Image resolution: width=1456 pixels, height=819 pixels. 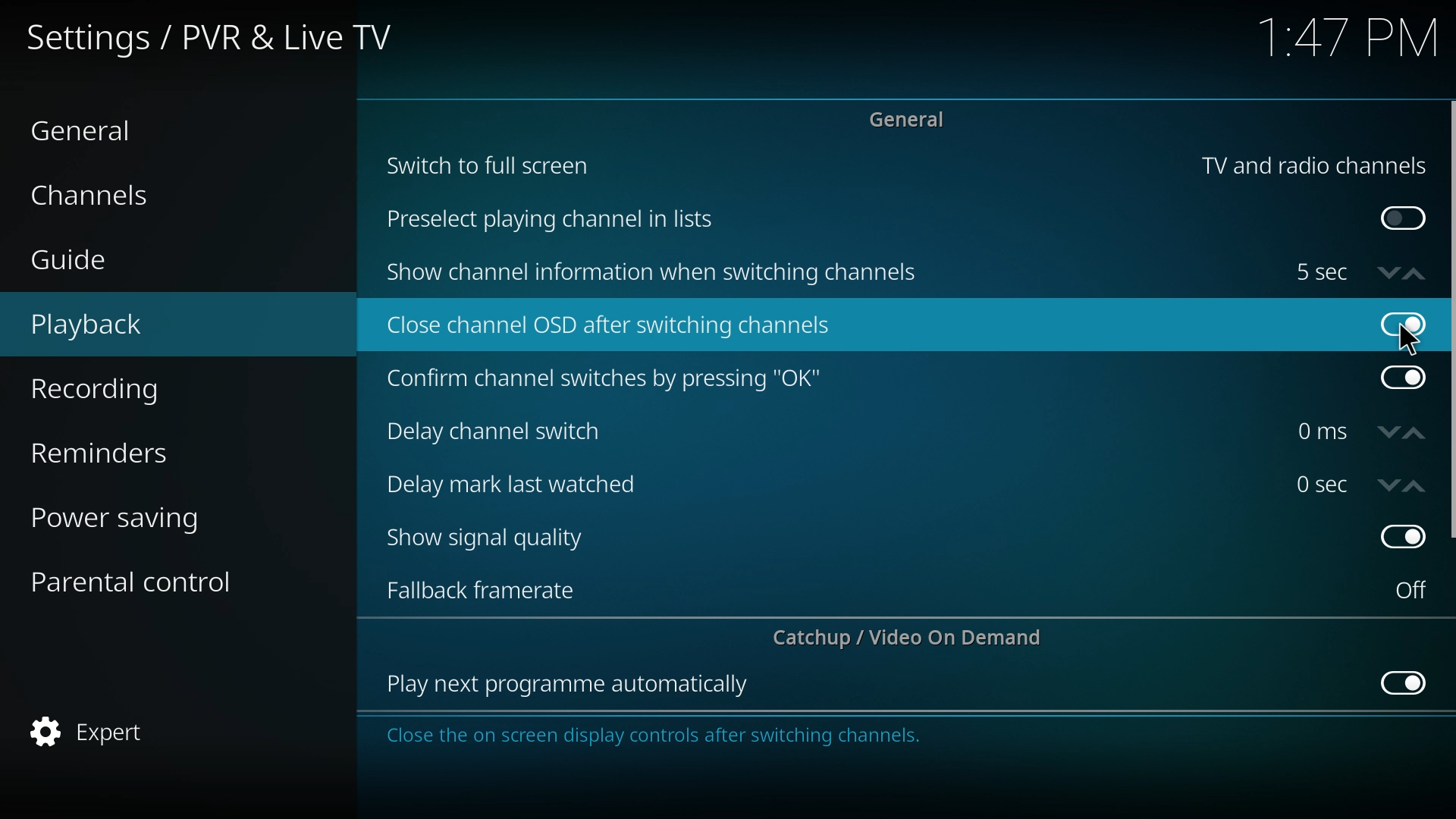 What do you see at coordinates (124, 262) in the screenshot?
I see `guide` at bounding box center [124, 262].